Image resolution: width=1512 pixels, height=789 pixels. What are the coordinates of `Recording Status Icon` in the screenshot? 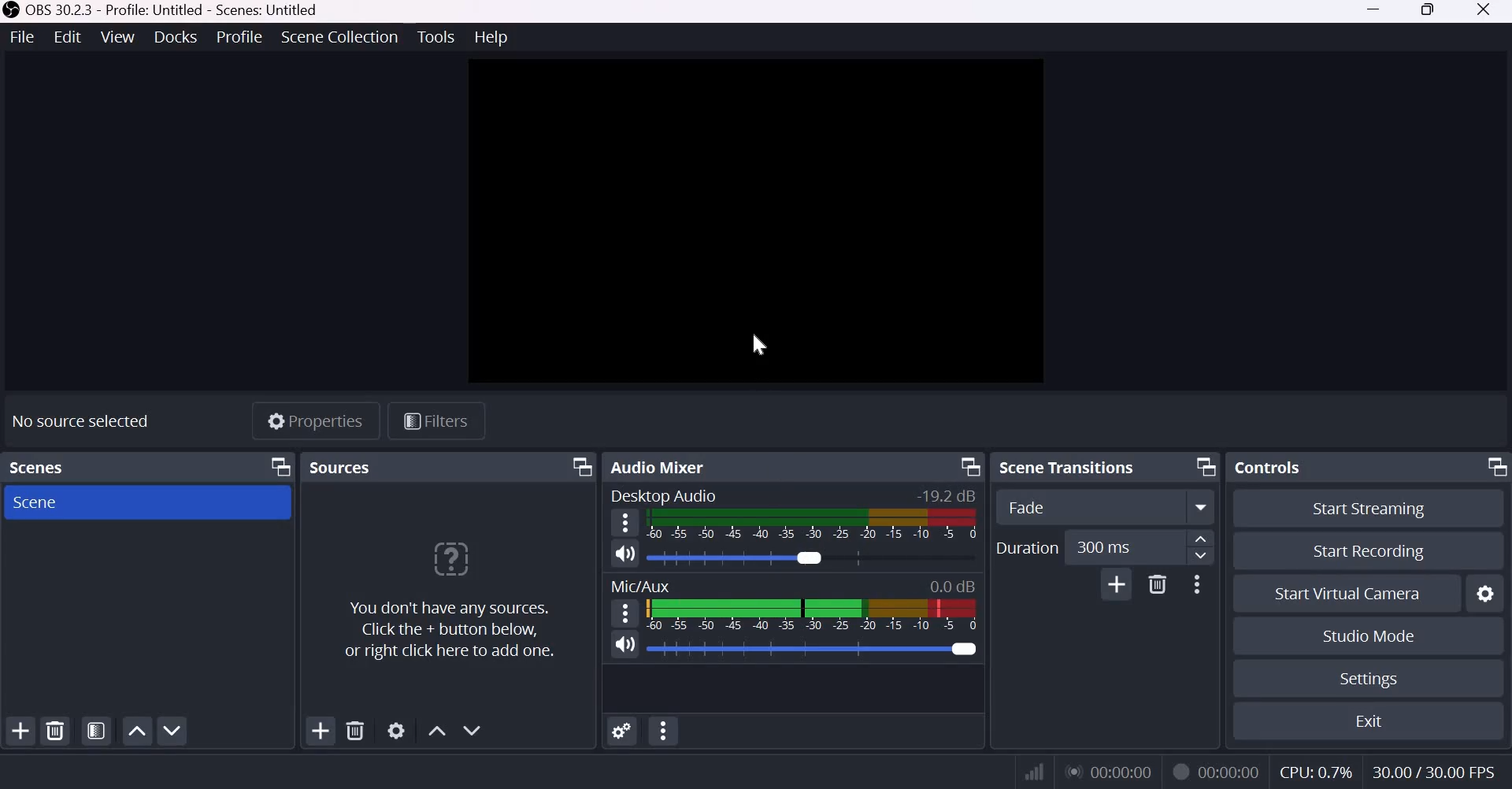 It's located at (1180, 770).